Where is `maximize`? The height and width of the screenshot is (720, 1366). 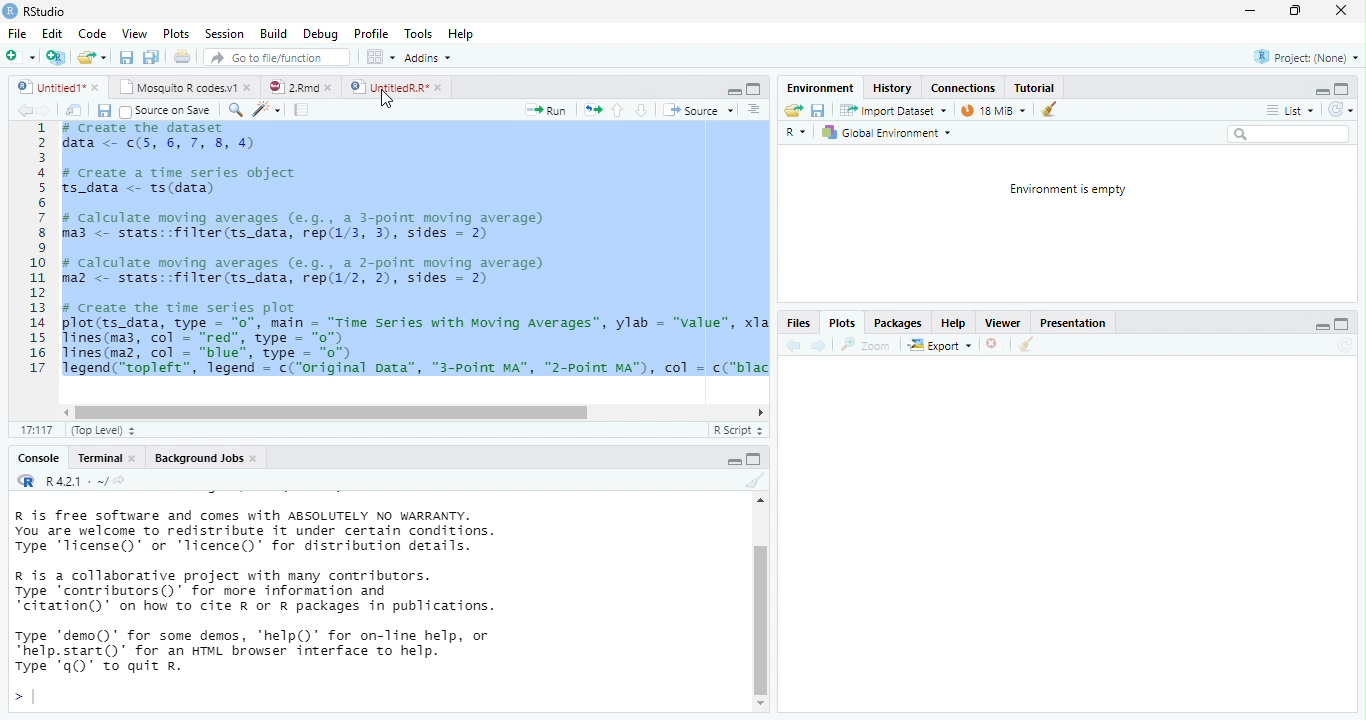 maximize is located at coordinates (1295, 11).